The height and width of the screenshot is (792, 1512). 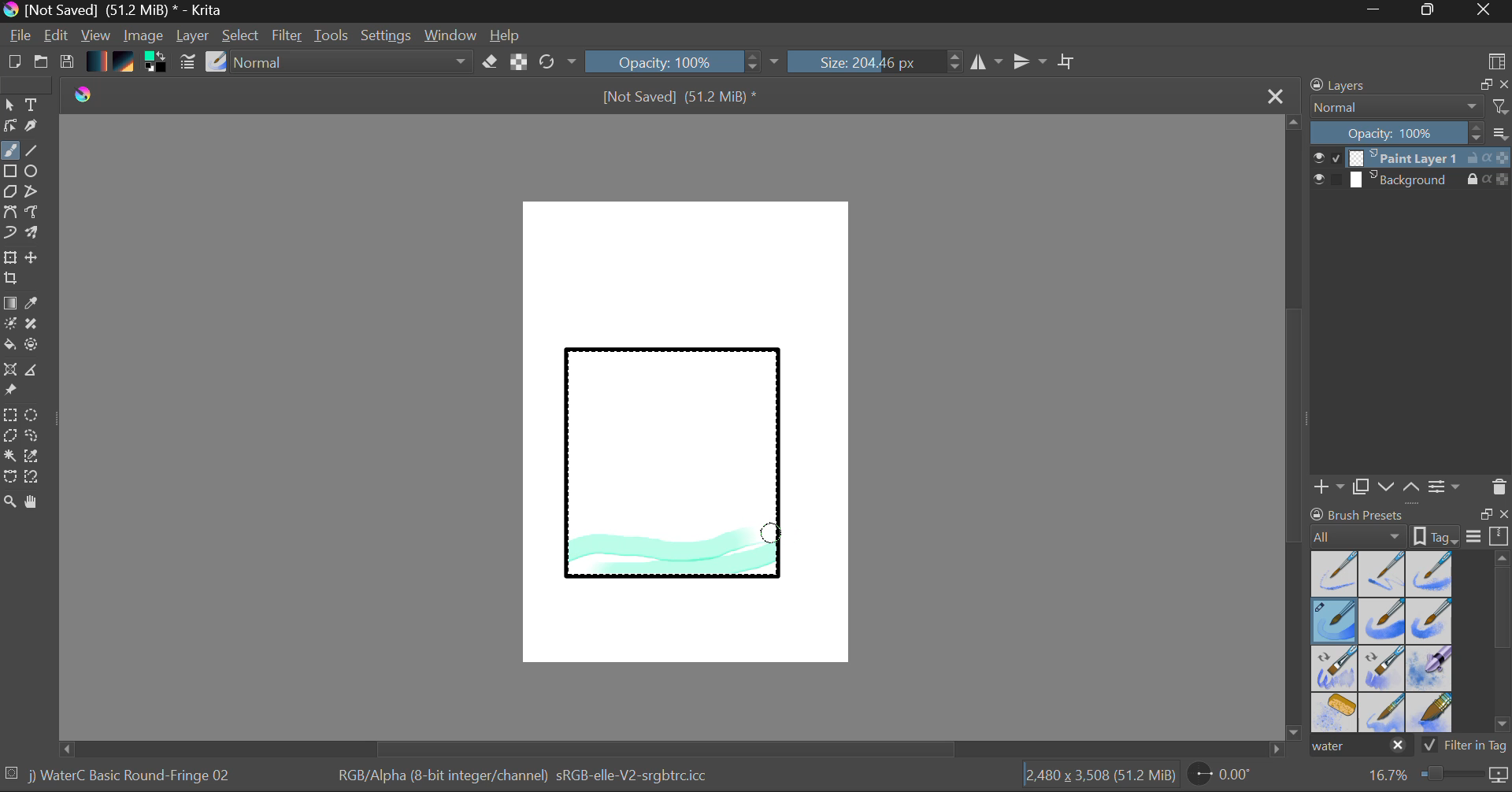 I want to click on Zoom, so click(x=1436, y=775).